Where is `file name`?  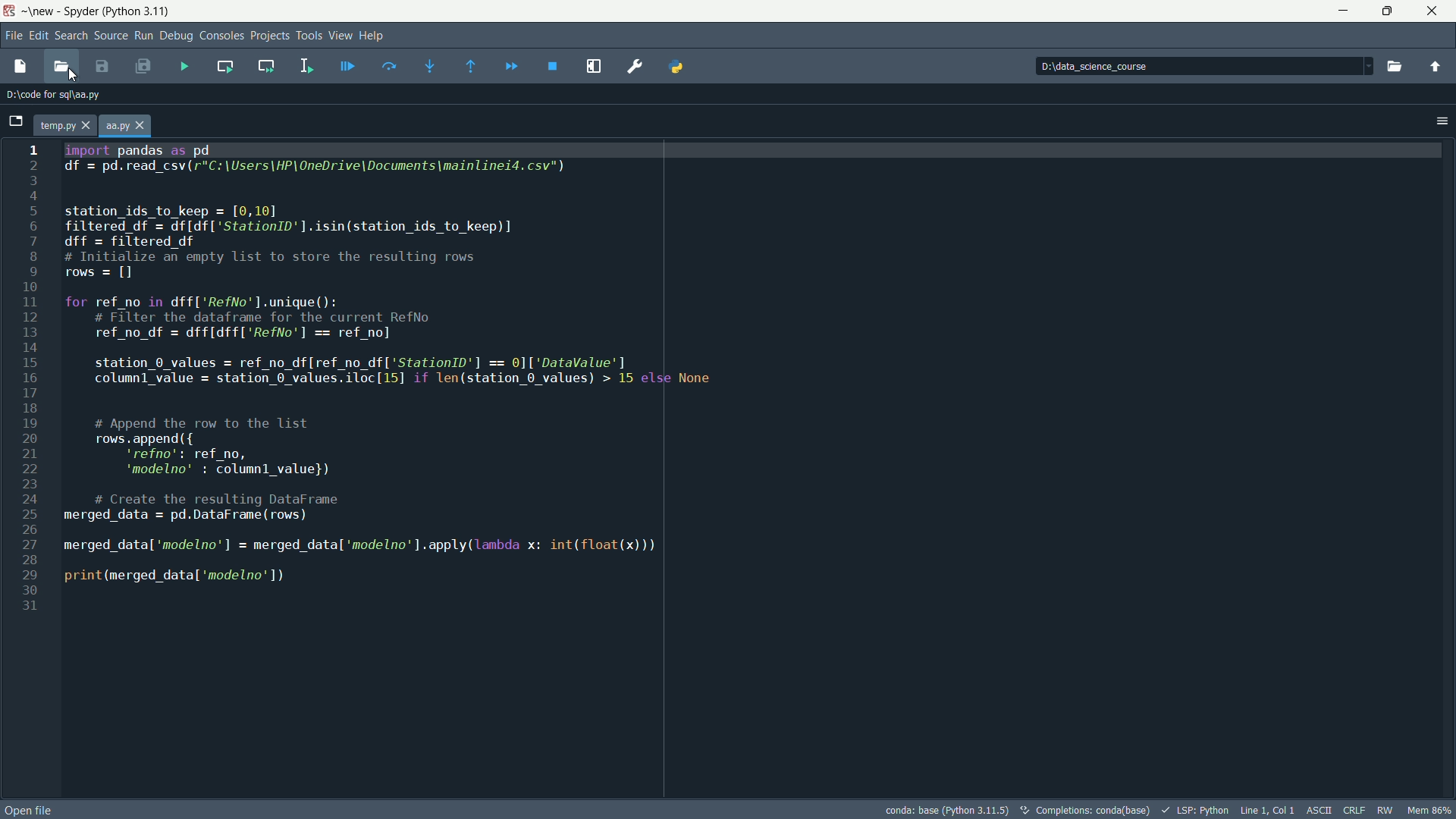
file name is located at coordinates (115, 125).